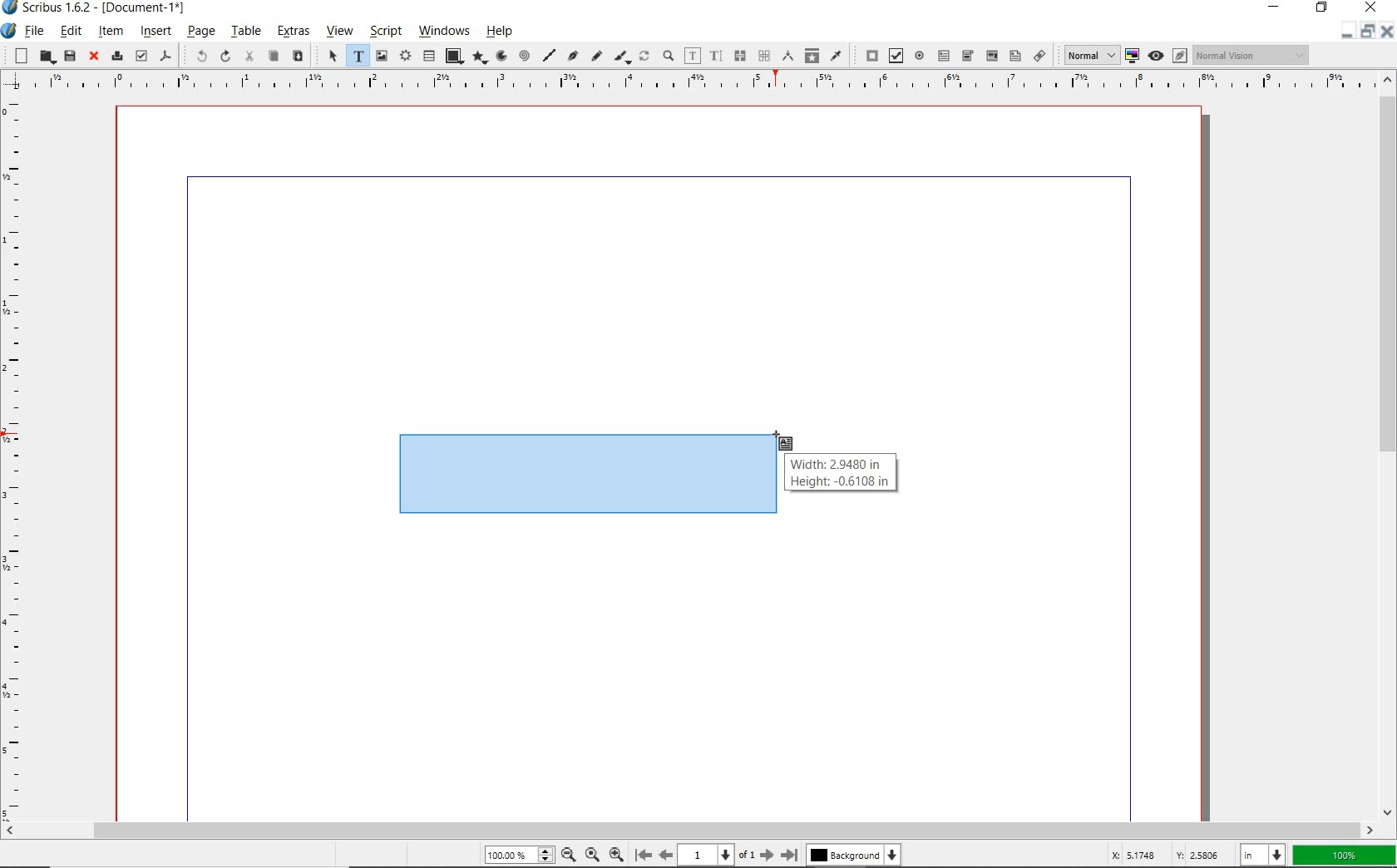 This screenshot has height=868, width=1397. What do you see at coordinates (1366, 32) in the screenshot?
I see `Minimize` at bounding box center [1366, 32].